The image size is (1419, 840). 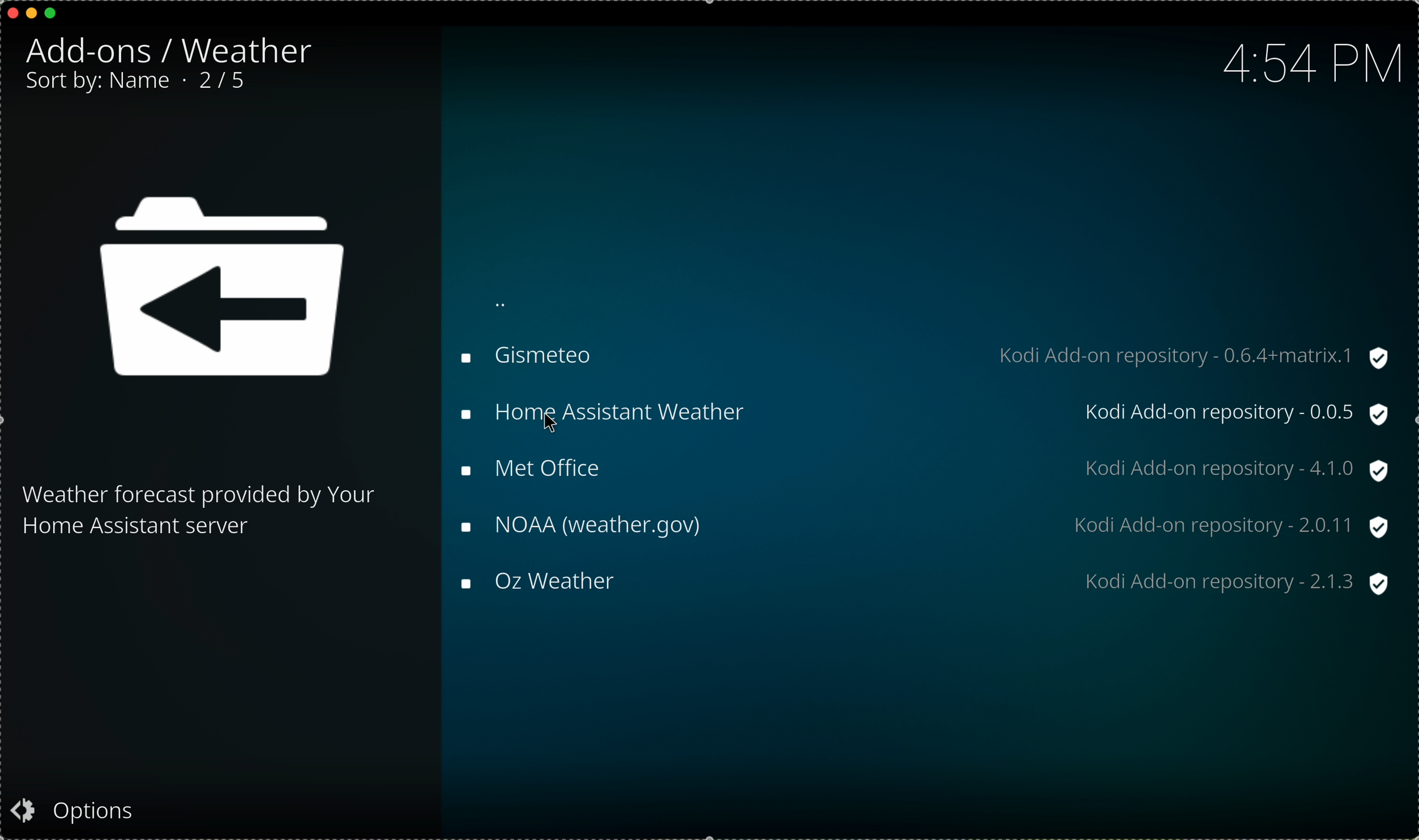 I want to click on gismeteo, so click(x=924, y=359).